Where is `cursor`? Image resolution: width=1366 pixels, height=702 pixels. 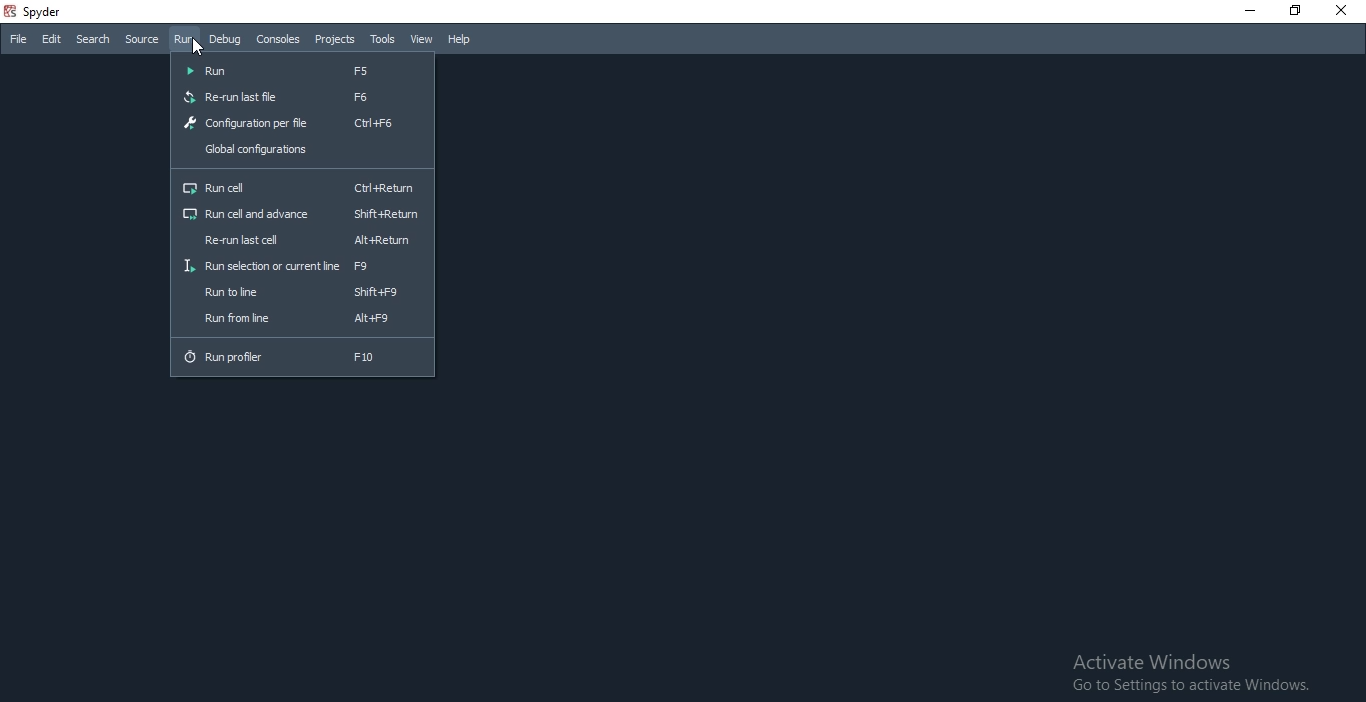
cursor is located at coordinates (198, 47).